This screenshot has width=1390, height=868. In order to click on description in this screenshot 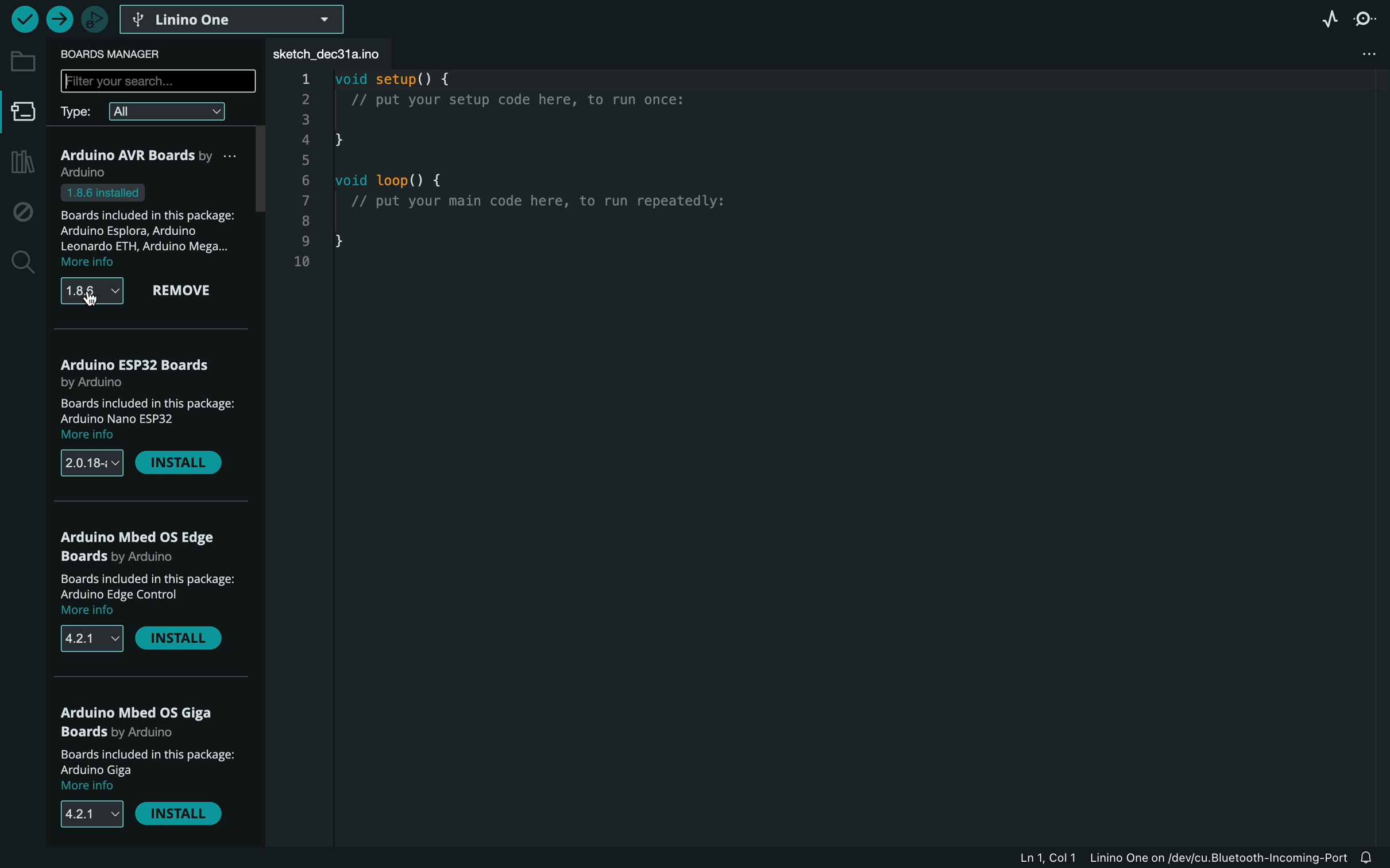, I will do `click(150, 596)`.